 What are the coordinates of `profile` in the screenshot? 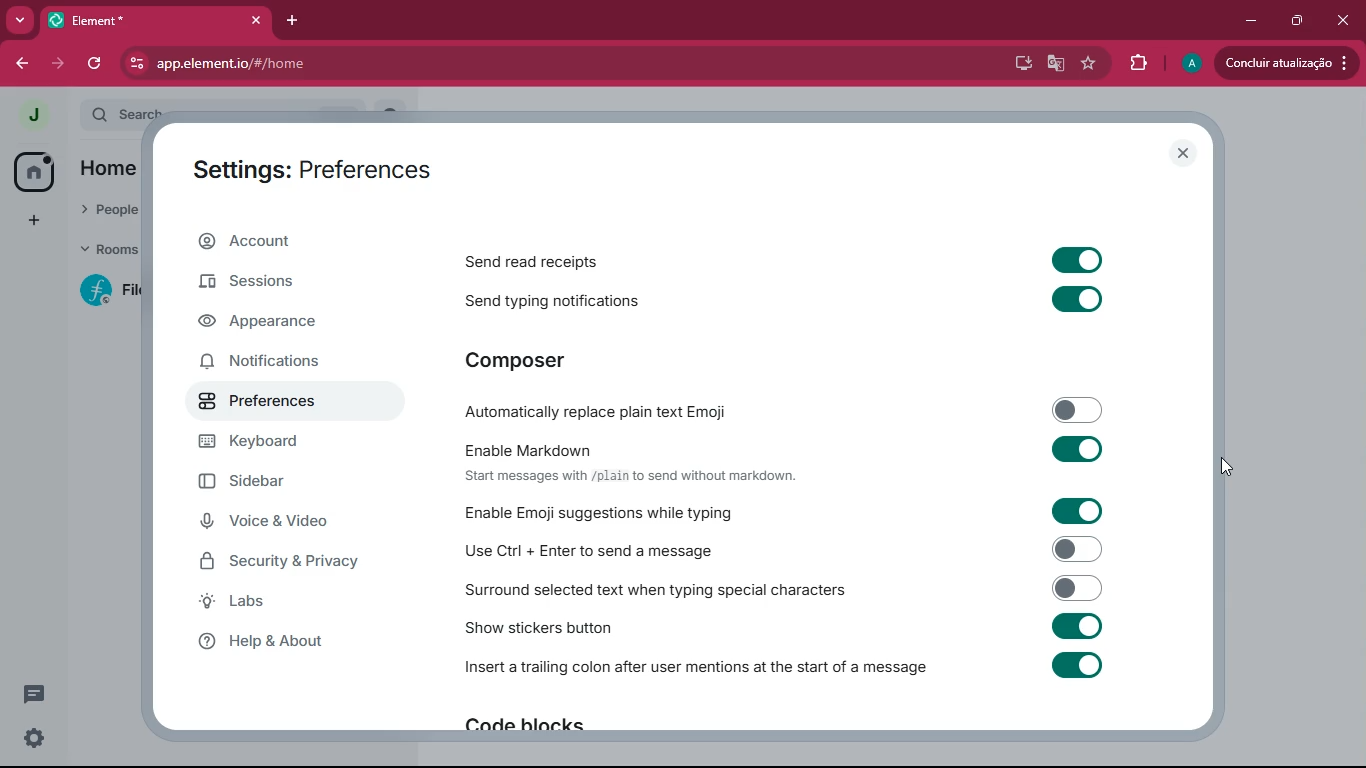 It's located at (1190, 63).